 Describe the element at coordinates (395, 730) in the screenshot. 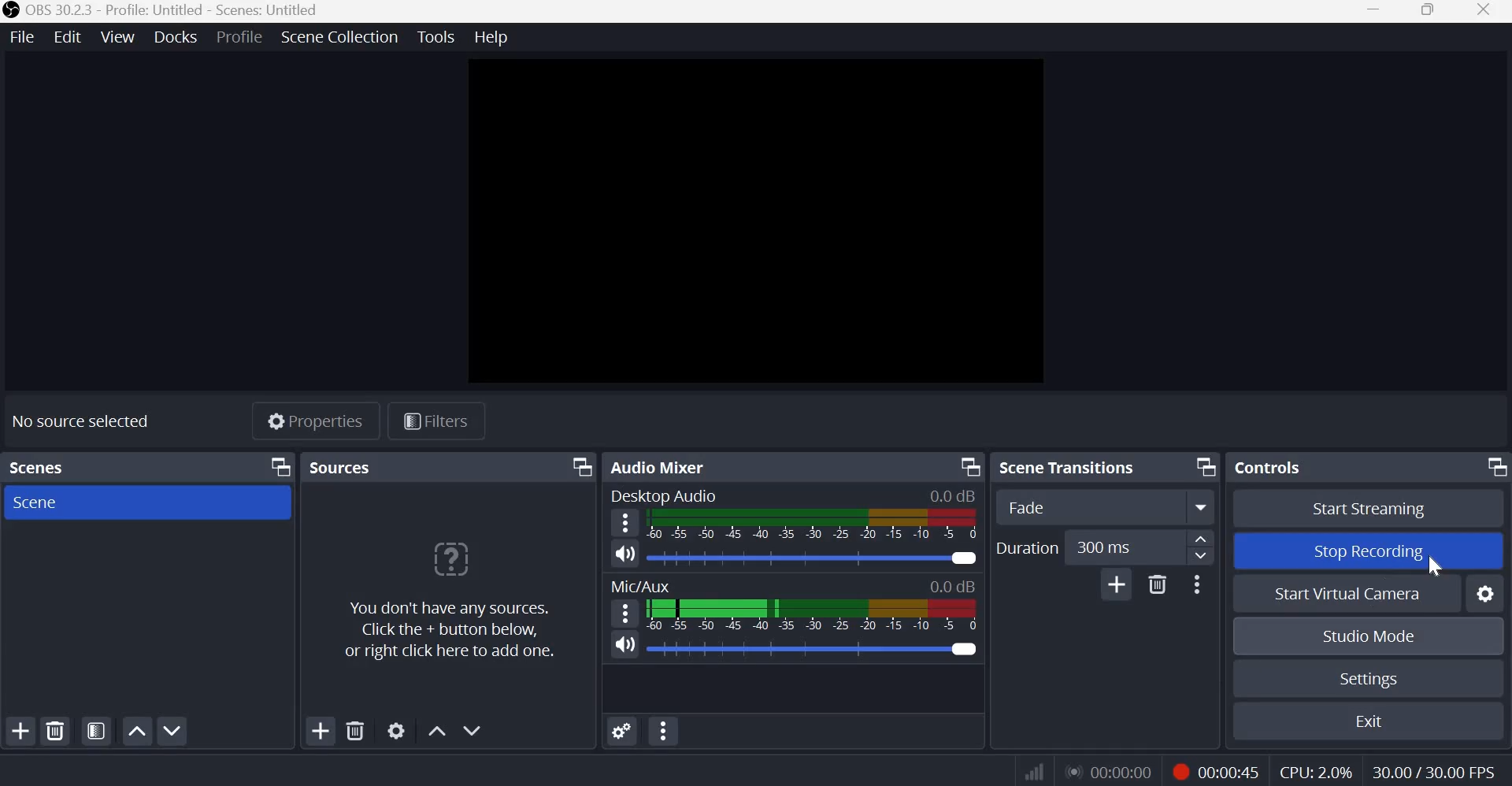

I see `Open source properties` at that location.